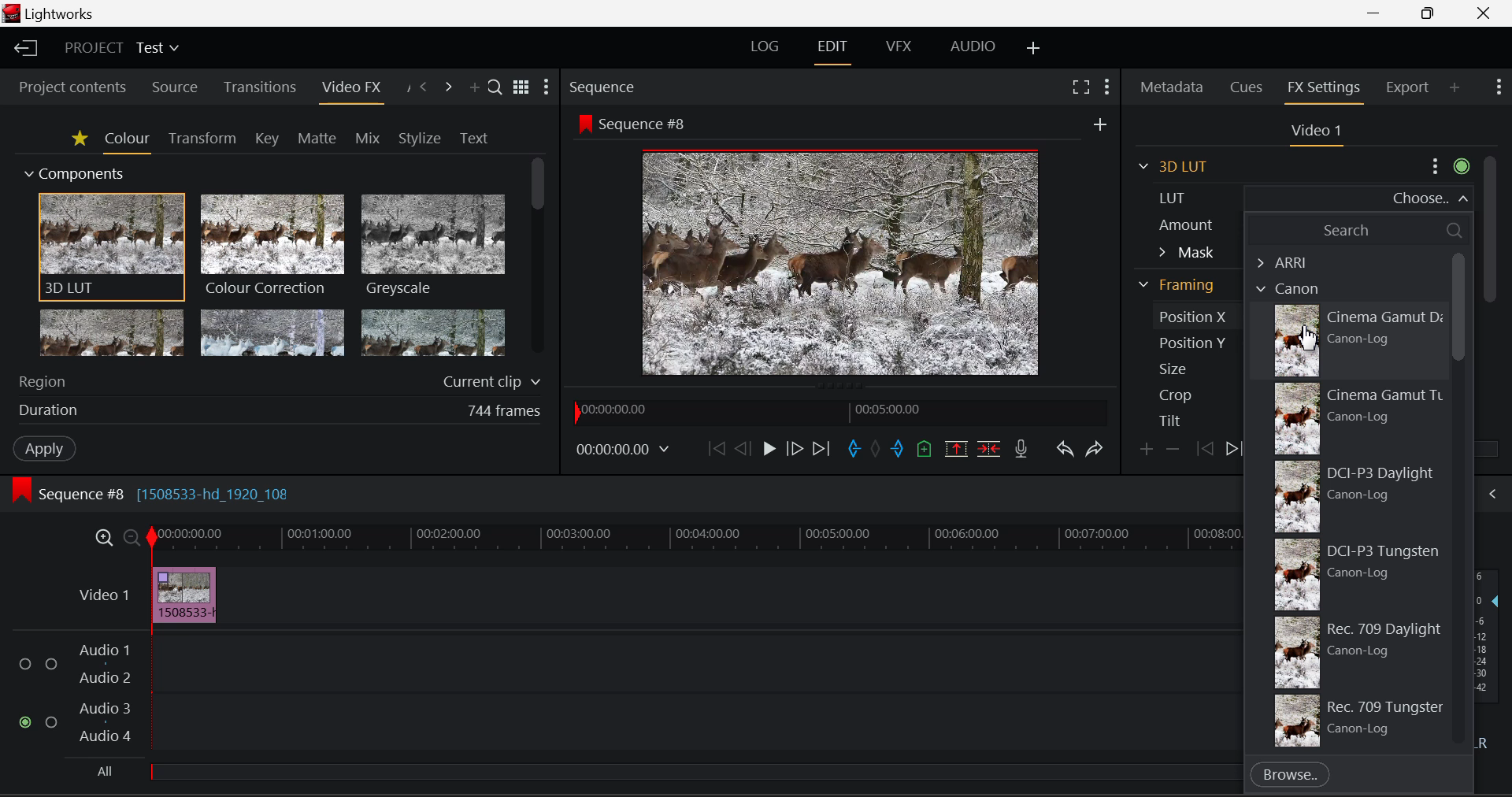 This screenshot has height=797, width=1512. Describe the element at coordinates (1347, 498) in the screenshot. I see `DCI-P3 Daylight` at that location.